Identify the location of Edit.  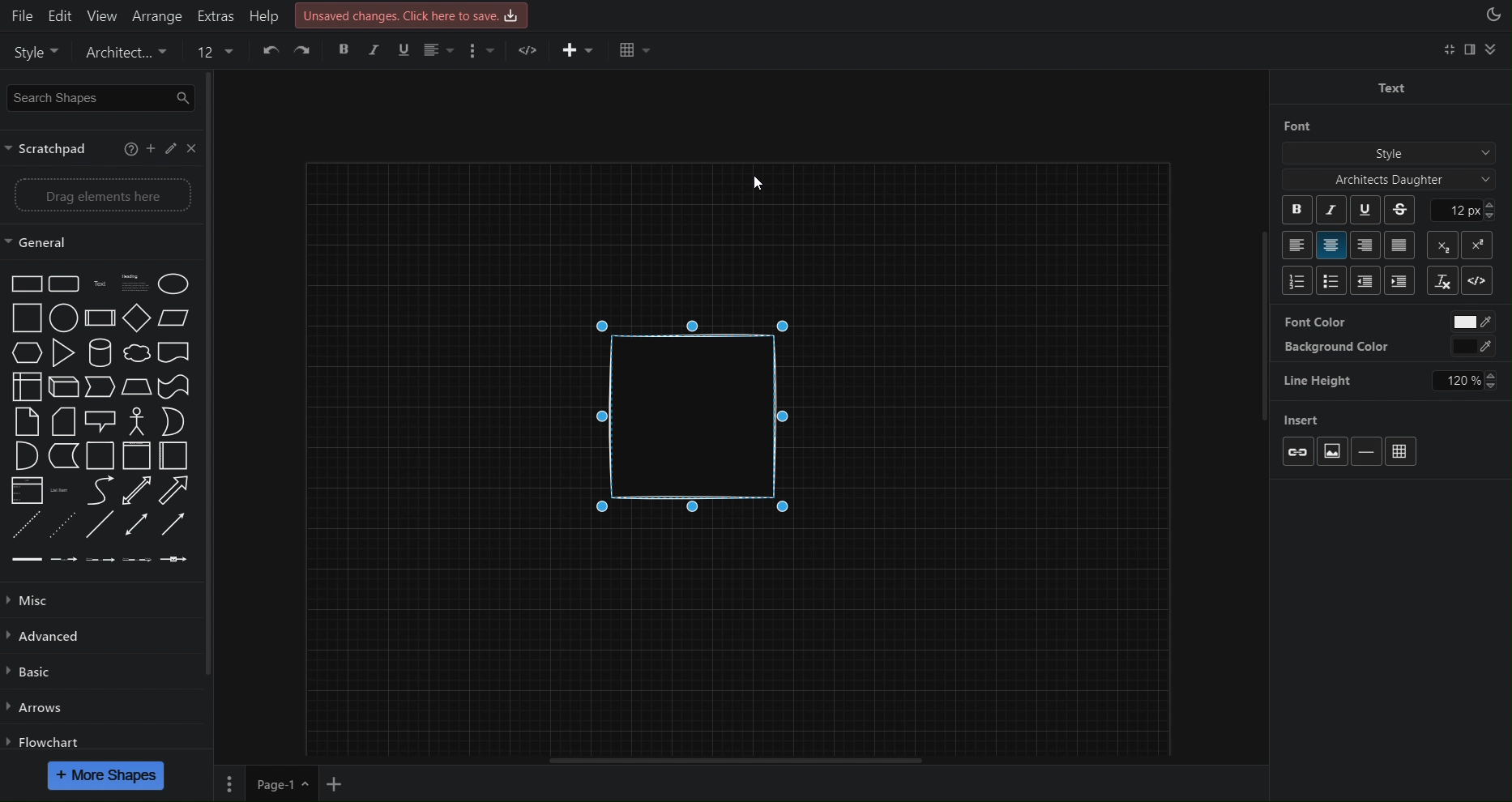
(59, 13).